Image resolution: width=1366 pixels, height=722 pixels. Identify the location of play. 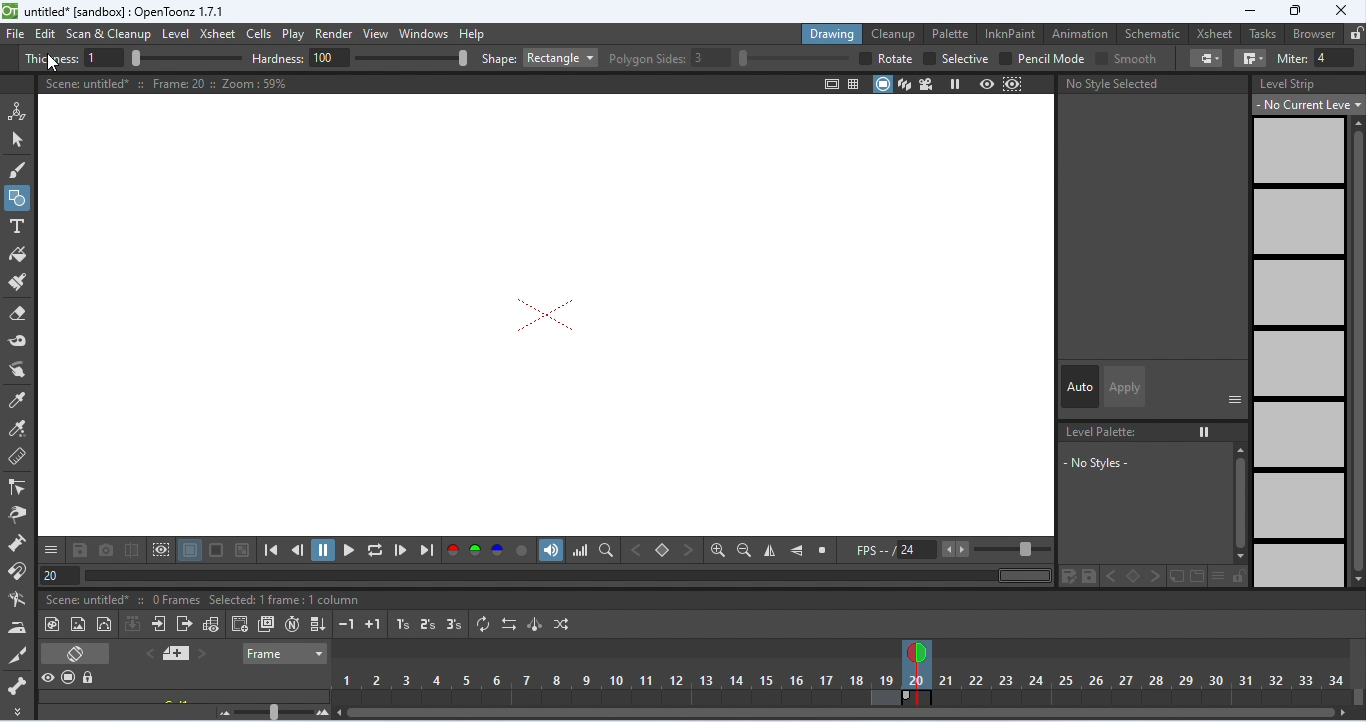
(349, 550).